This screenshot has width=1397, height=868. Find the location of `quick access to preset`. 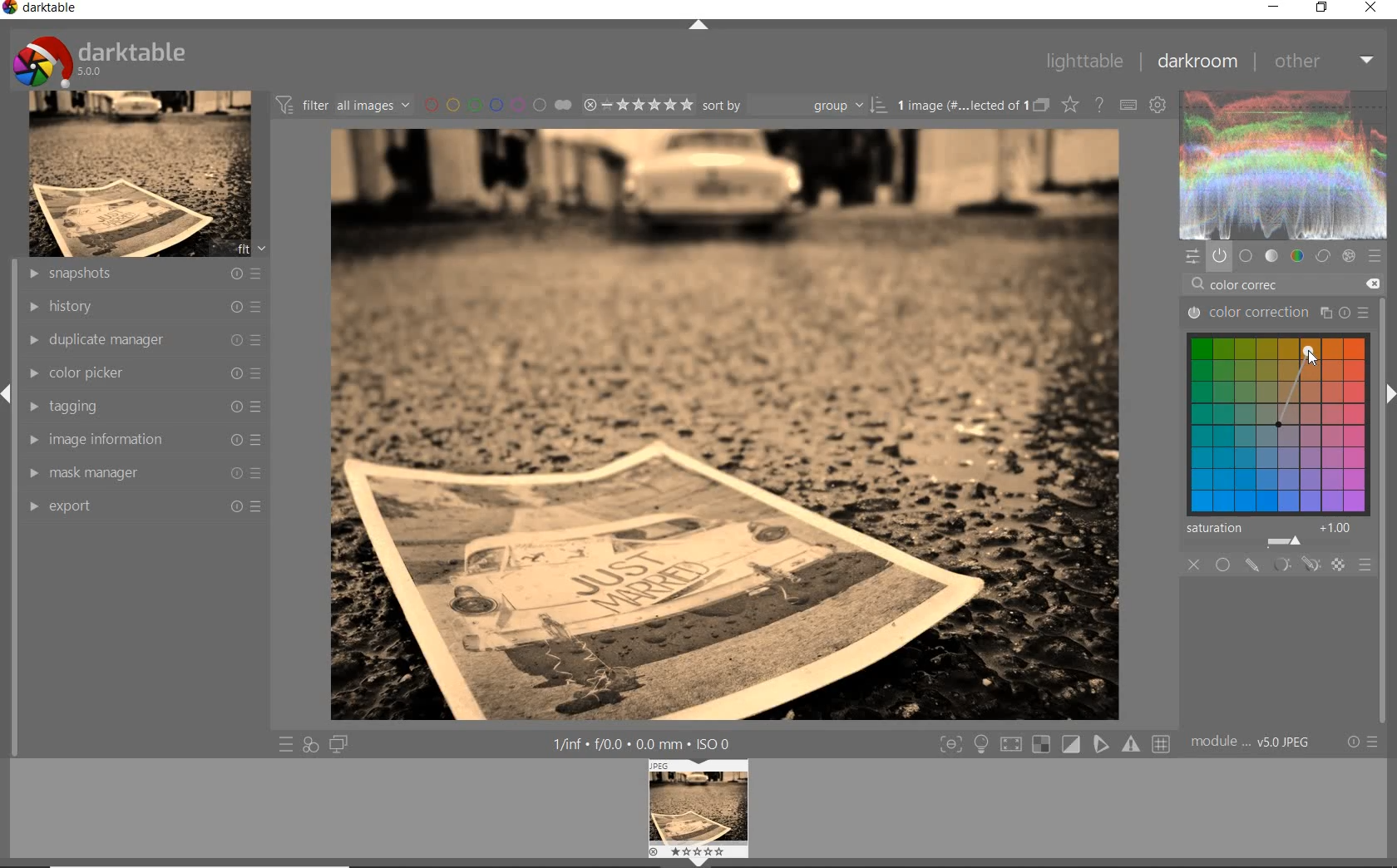

quick access to preset is located at coordinates (286, 742).